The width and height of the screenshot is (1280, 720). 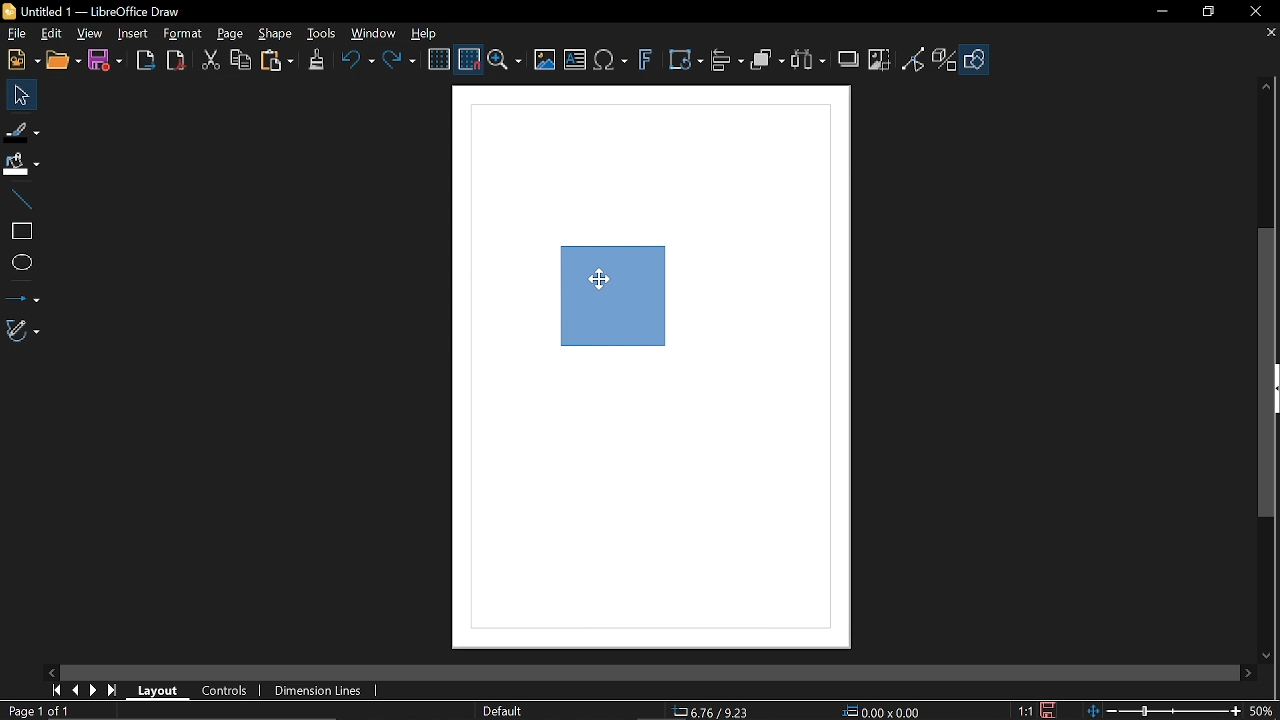 I want to click on Insert image, so click(x=546, y=60).